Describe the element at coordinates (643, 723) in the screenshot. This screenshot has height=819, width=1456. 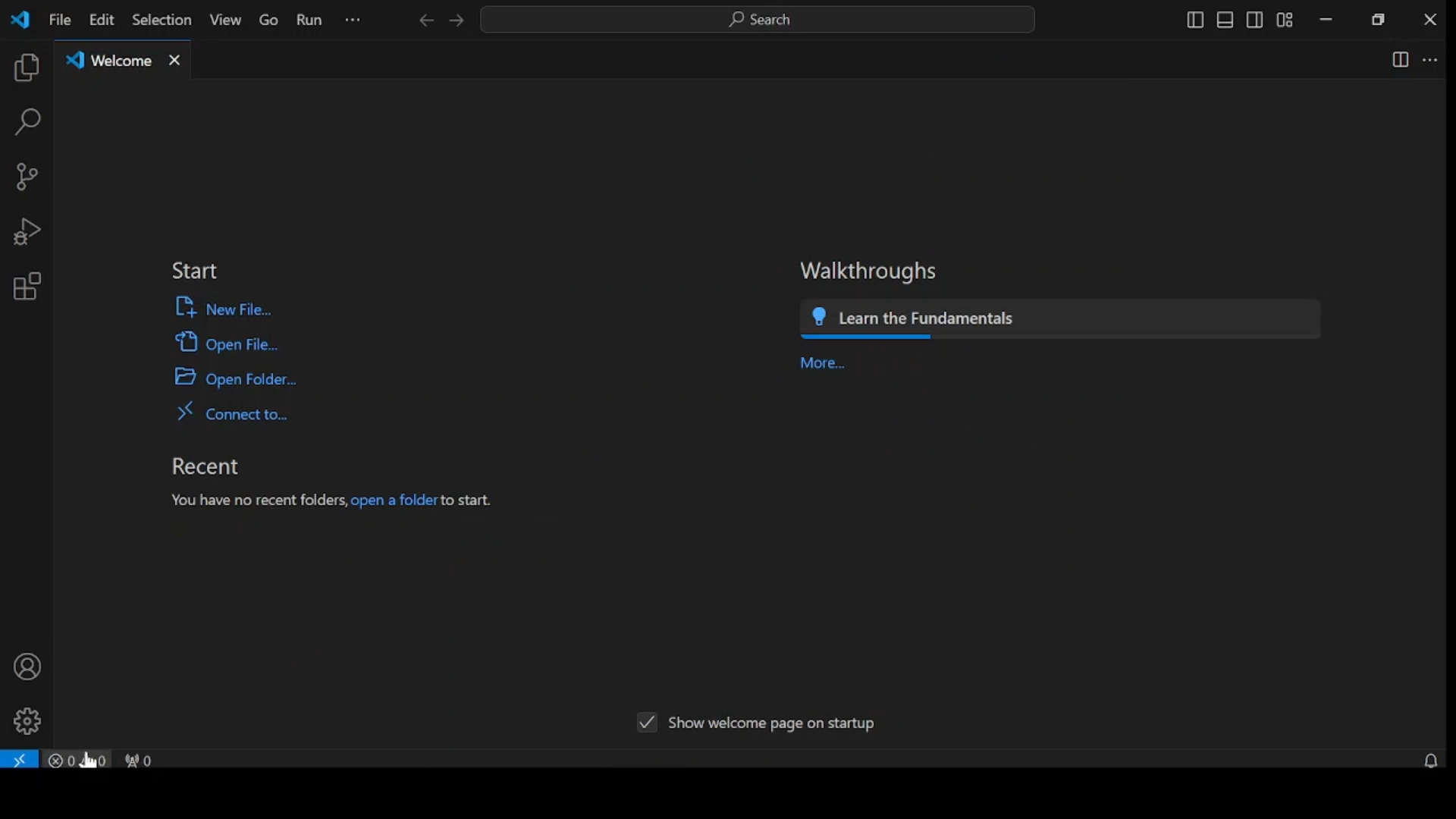
I see `tick` at that location.